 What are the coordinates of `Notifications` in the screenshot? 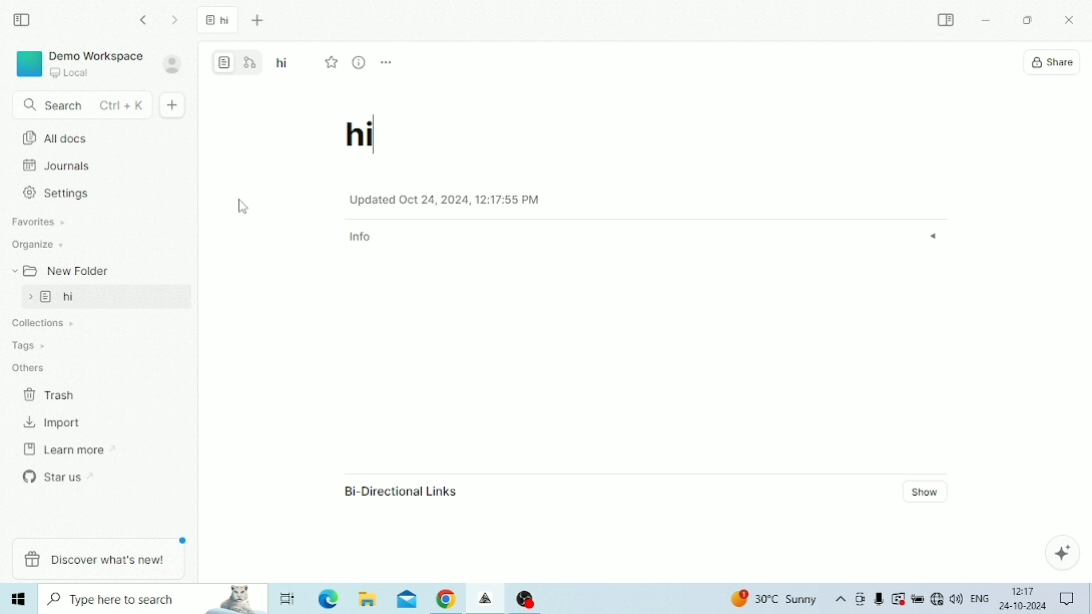 It's located at (1067, 598).